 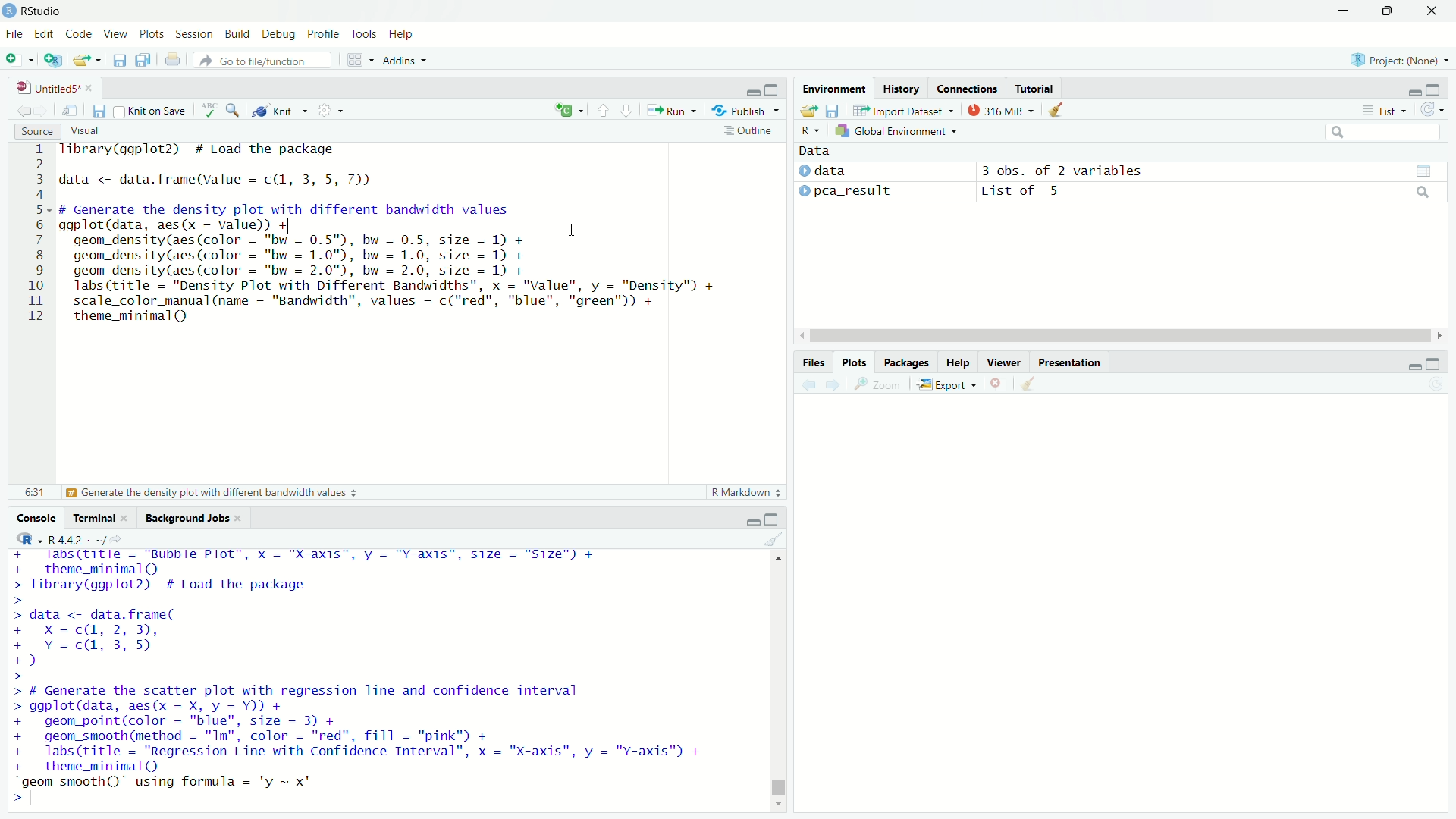 What do you see at coordinates (70, 110) in the screenshot?
I see `Show in new window` at bounding box center [70, 110].